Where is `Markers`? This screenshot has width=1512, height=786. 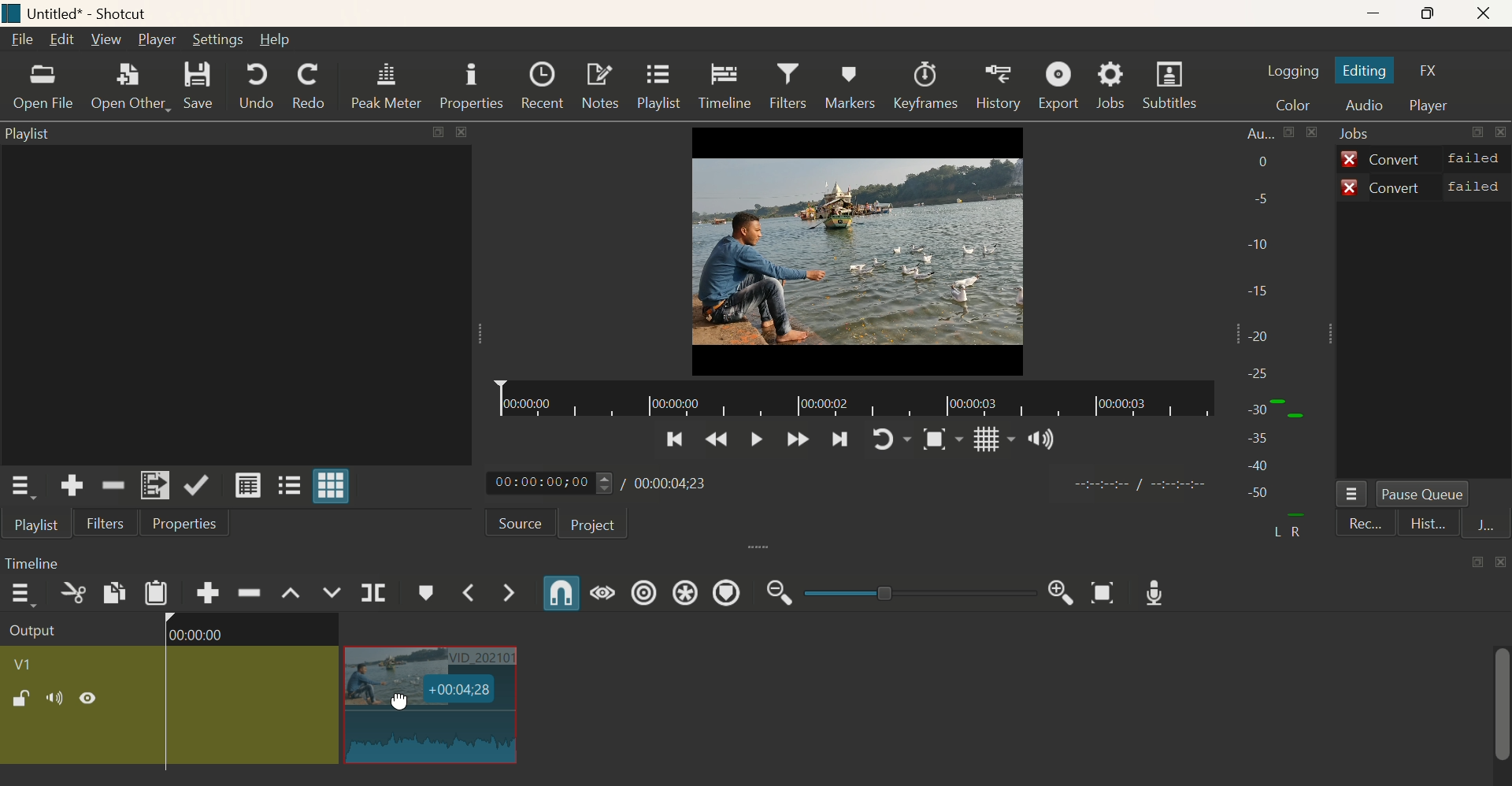
Markers is located at coordinates (849, 85).